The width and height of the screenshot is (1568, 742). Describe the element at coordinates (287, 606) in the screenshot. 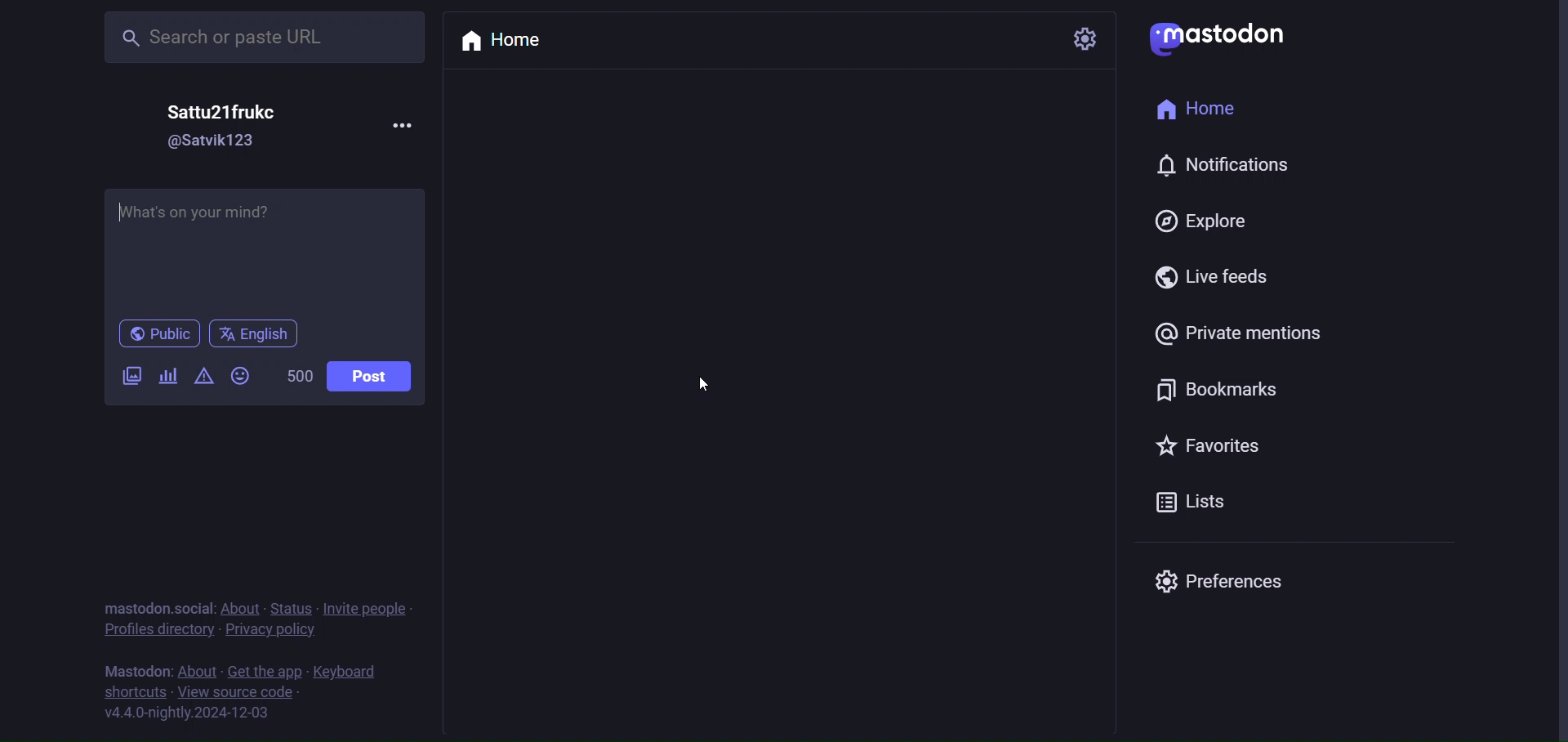

I see `status` at that location.